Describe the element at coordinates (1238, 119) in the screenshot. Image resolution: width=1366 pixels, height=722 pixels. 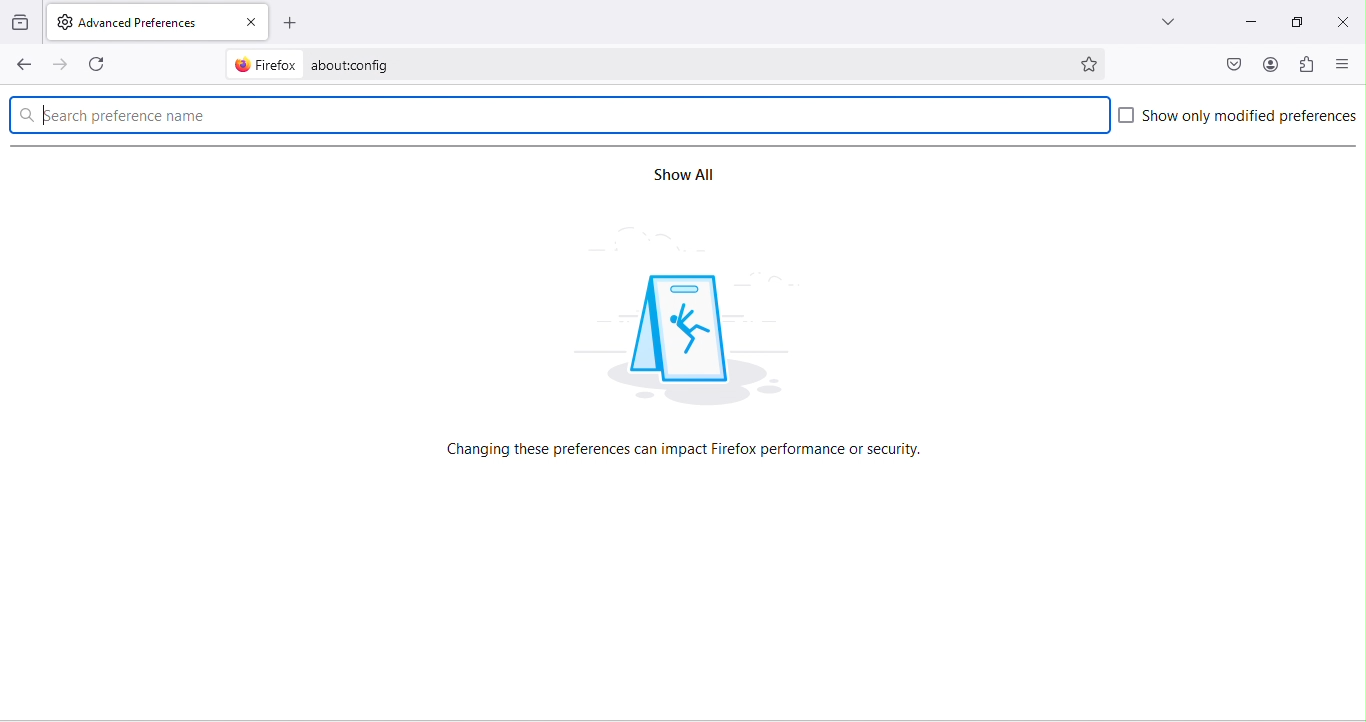
I see `show only modified preferences` at that location.